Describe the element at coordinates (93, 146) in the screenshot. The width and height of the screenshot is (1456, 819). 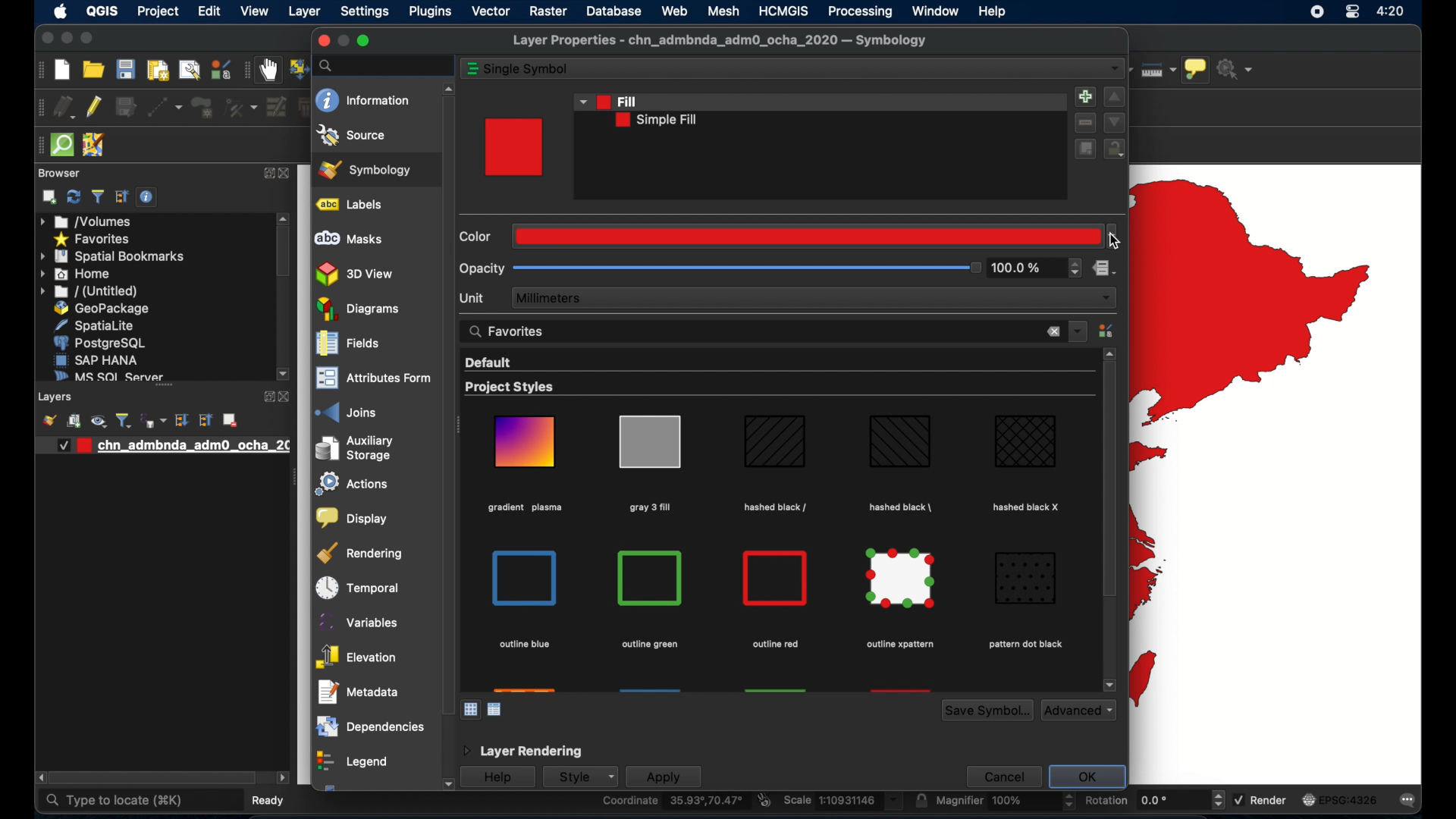
I see `jsomremote` at that location.